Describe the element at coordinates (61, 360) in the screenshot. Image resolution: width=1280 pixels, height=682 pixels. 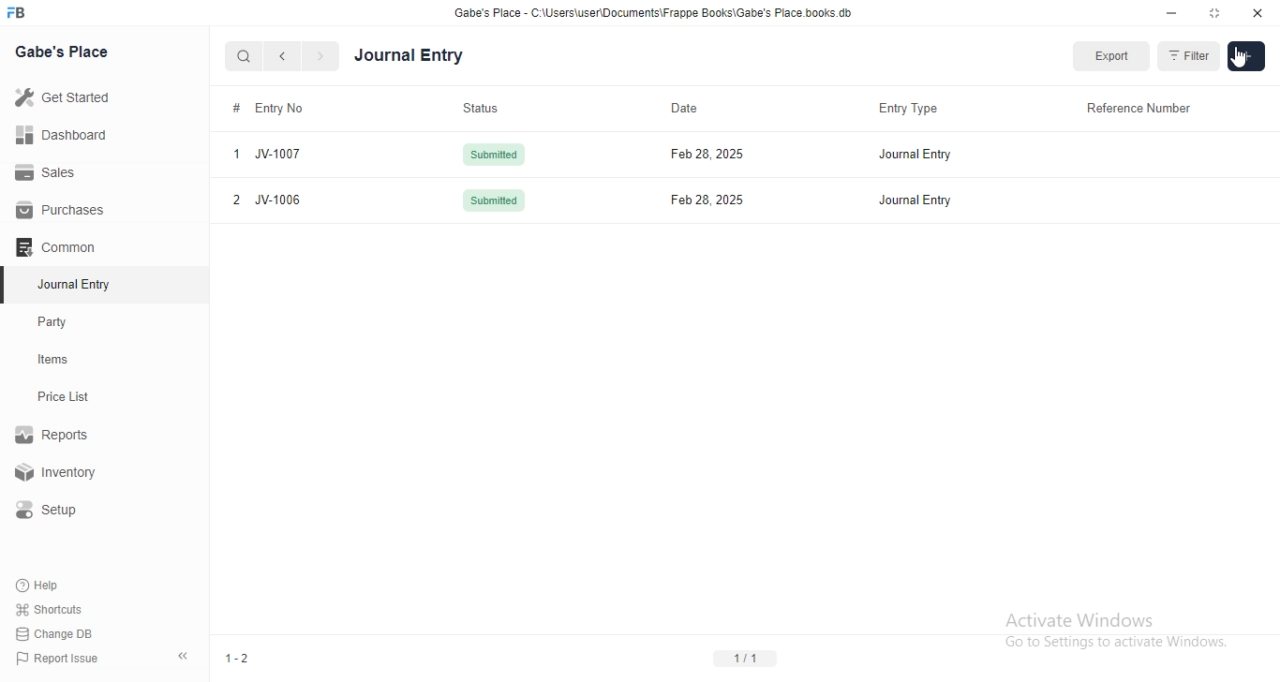
I see `tems` at that location.